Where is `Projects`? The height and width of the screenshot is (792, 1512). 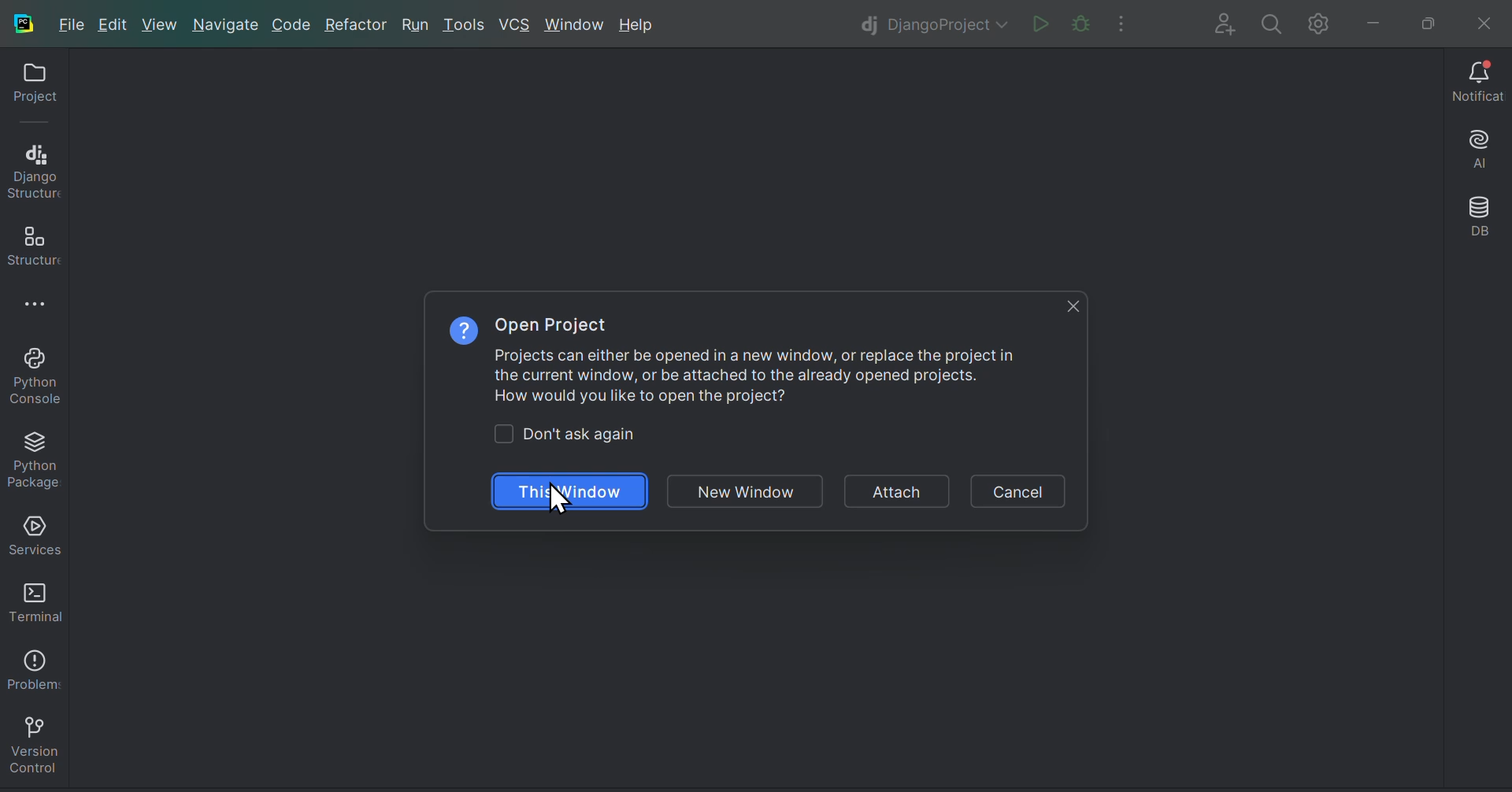
Projects is located at coordinates (29, 87).